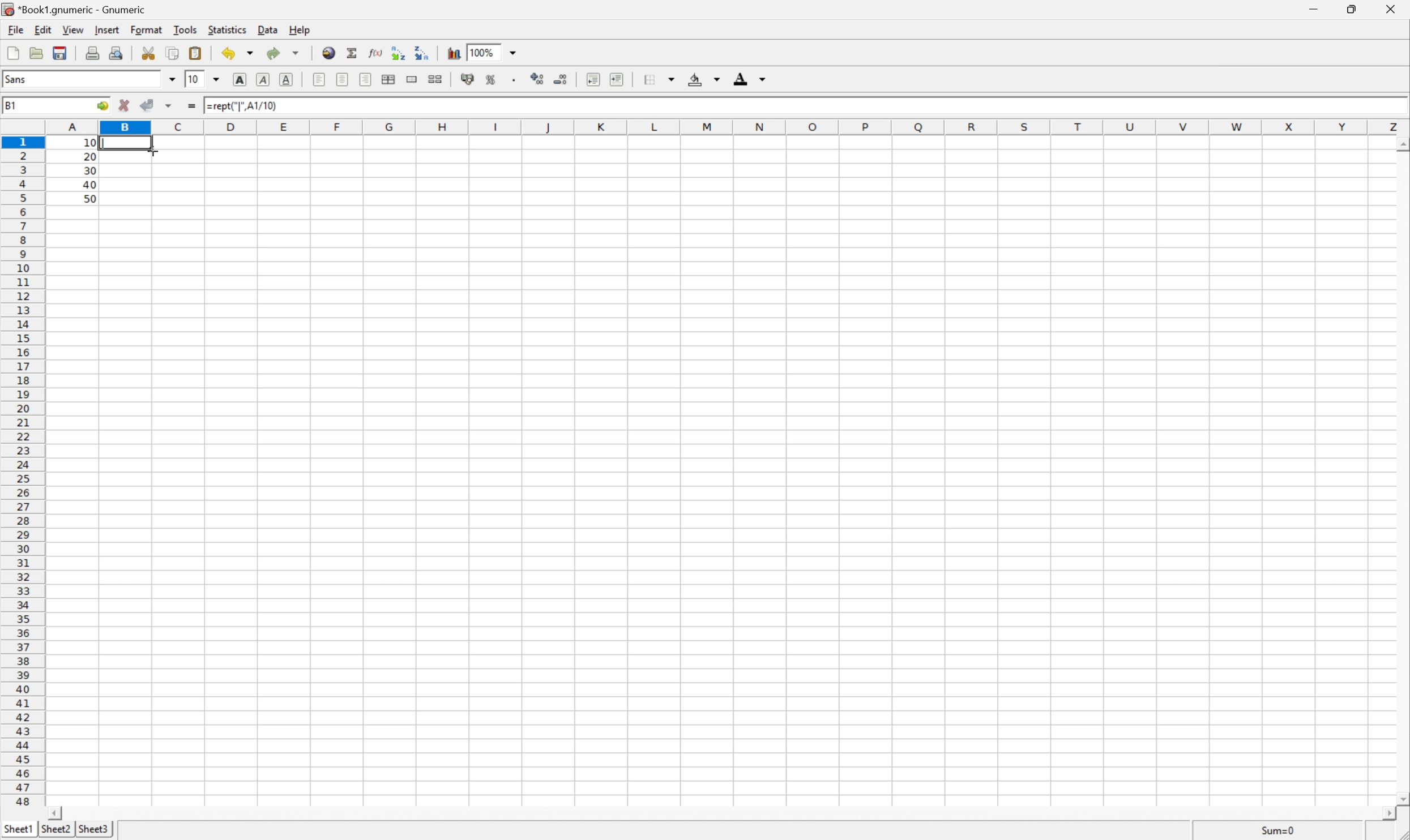  What do you see at coordinates (22, 472) in the screenshot?
I see `Row Number` at bounding box center [22, 472].